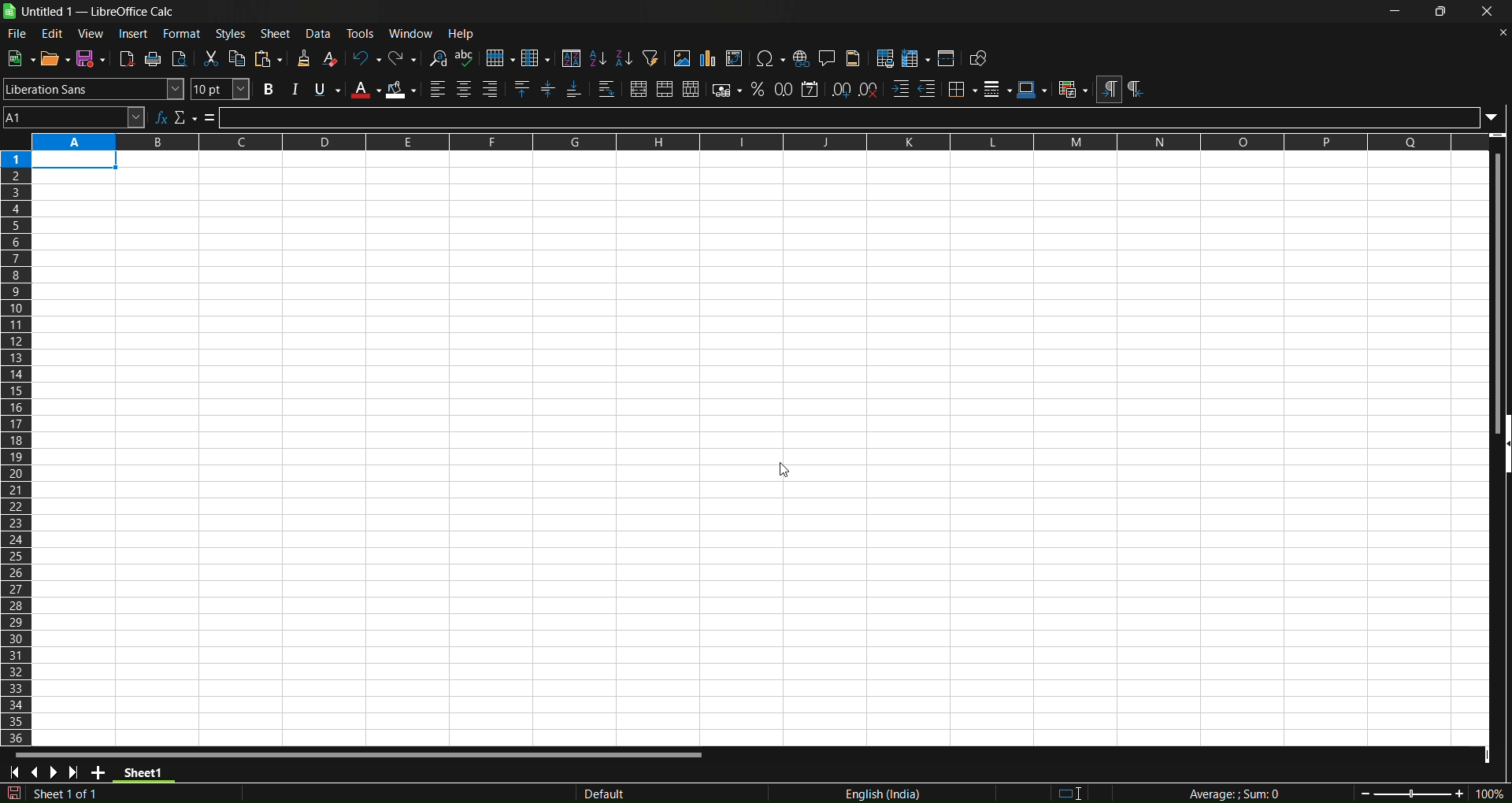 This screenshot has height=803, width=1512. I want to click on horizontal scroll bar, so click(360, 753).